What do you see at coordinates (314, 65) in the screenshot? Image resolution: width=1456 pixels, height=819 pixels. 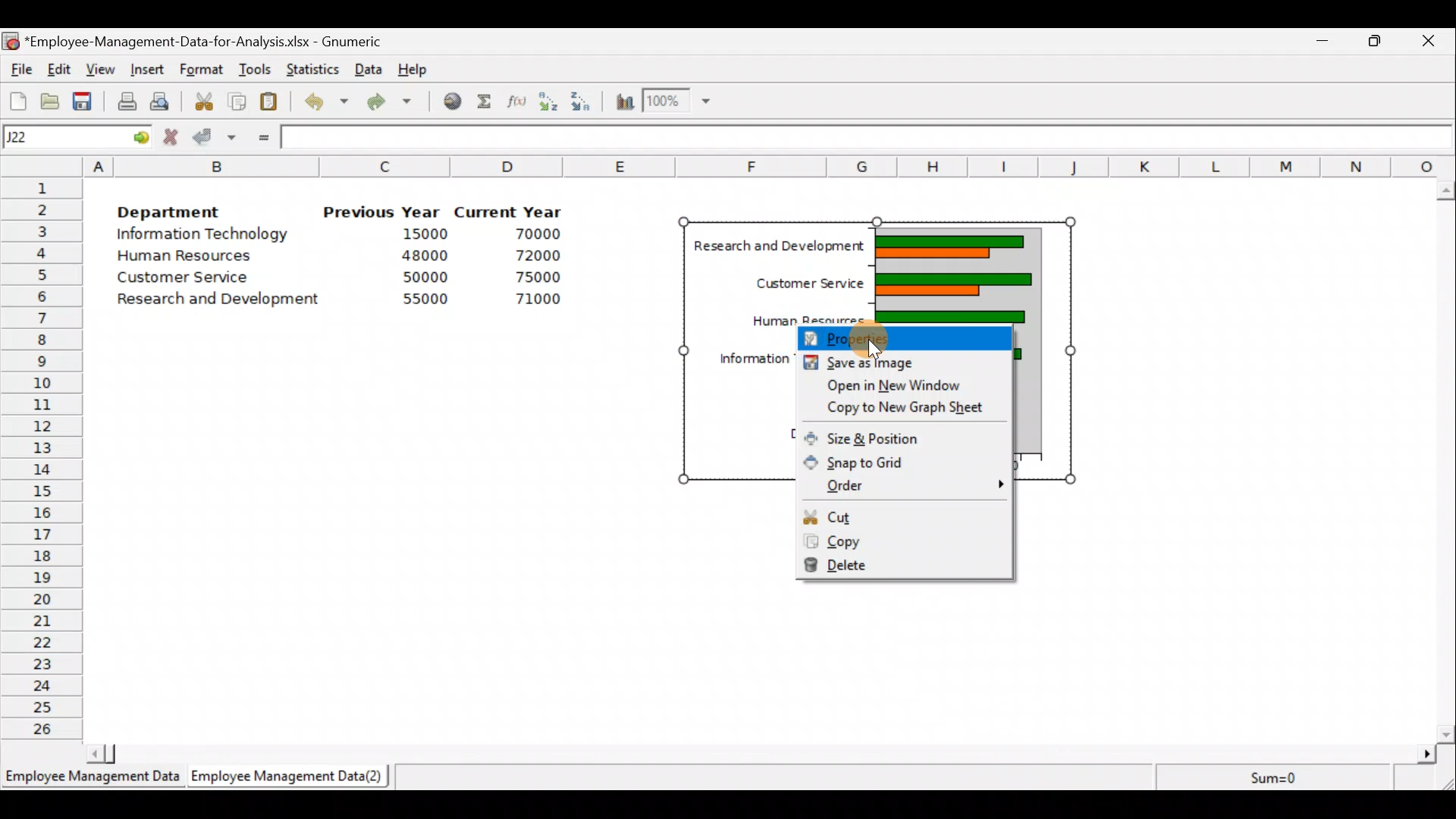 I see `Statistics` at bounding box center [314, 65].